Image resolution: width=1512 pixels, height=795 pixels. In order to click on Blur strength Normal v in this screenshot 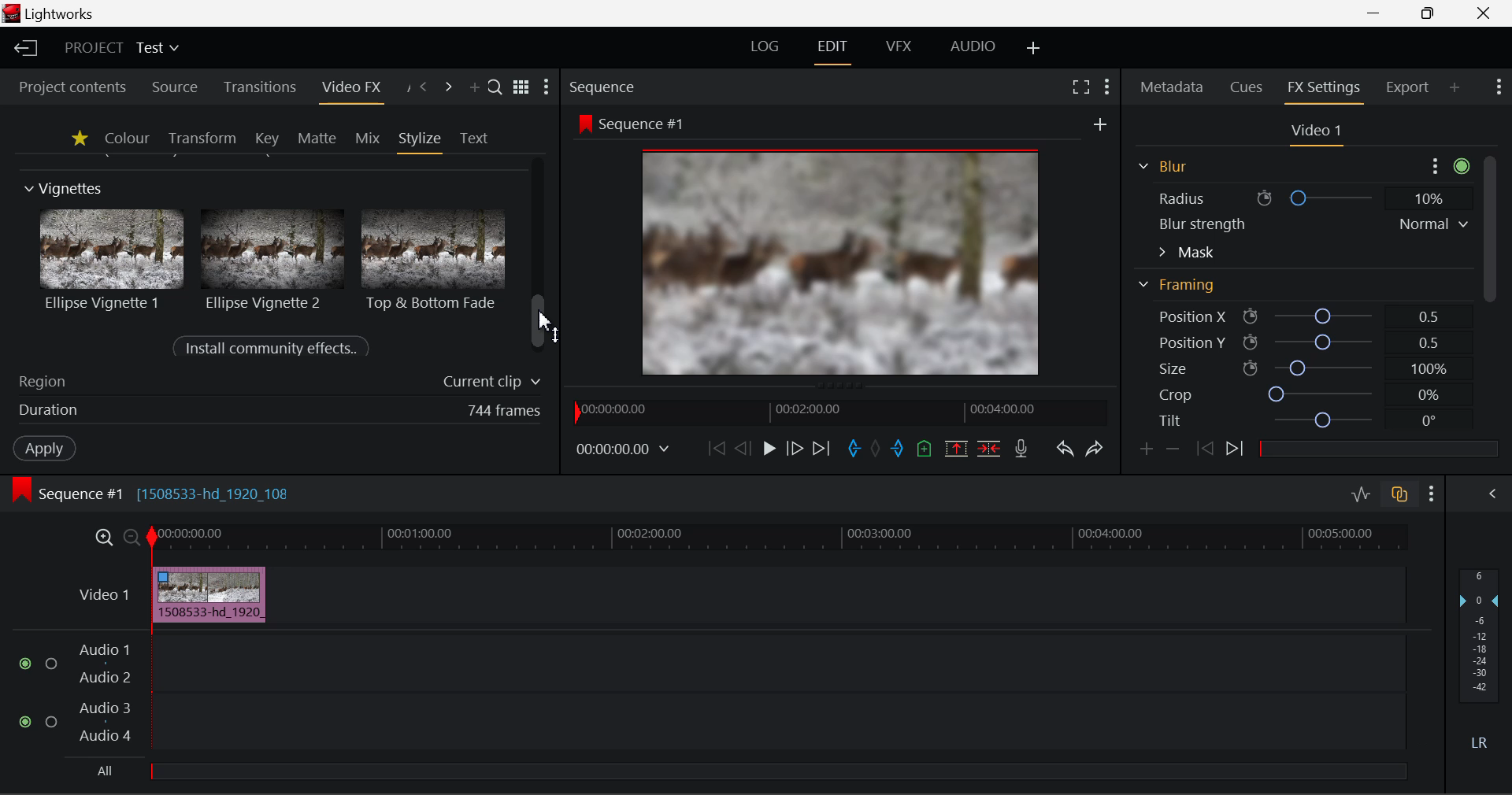, I will do `click(1311, 224)`.